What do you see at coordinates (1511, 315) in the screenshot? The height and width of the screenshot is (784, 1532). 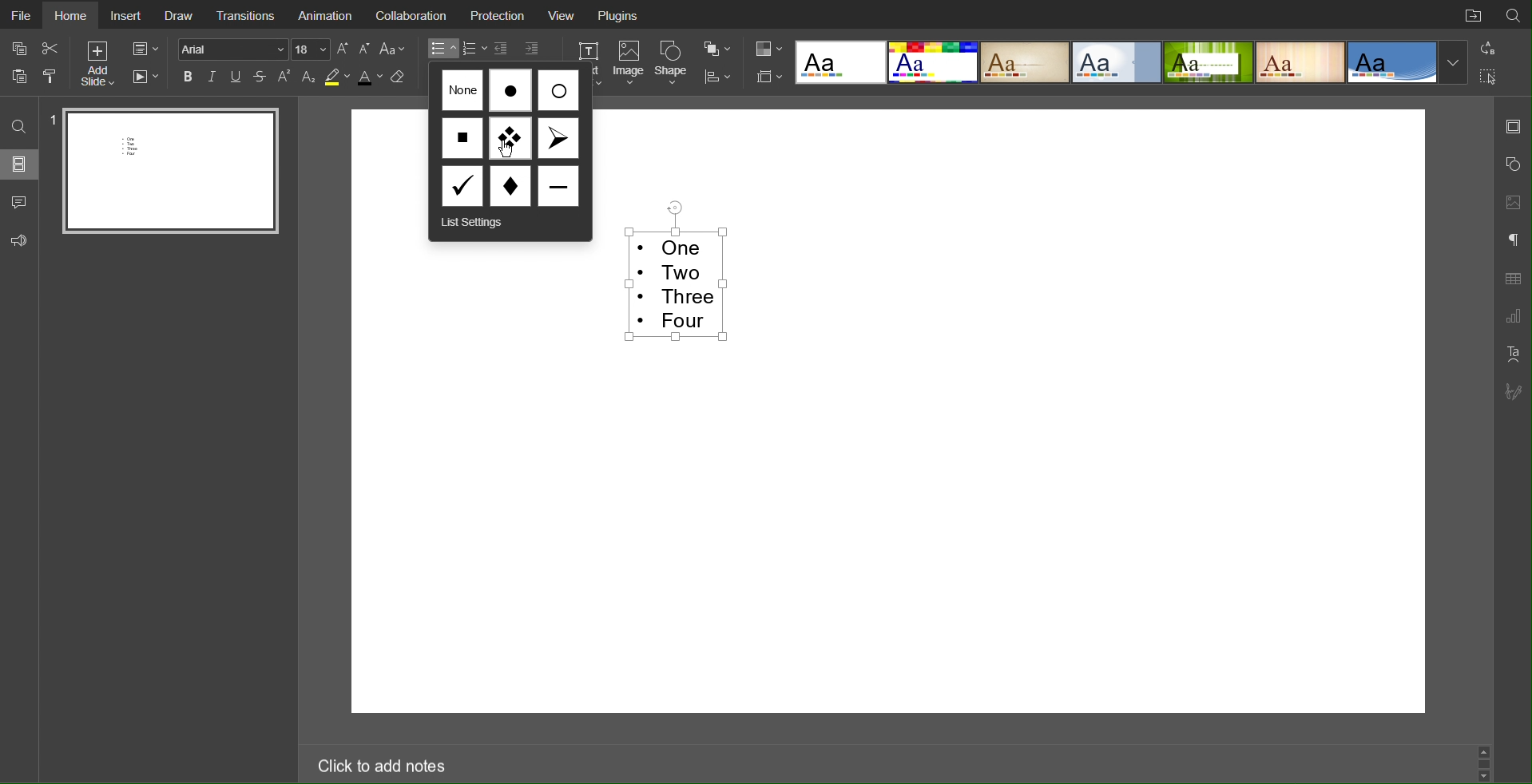 I see `Graph Settings` at bounding box center [1511, 315].